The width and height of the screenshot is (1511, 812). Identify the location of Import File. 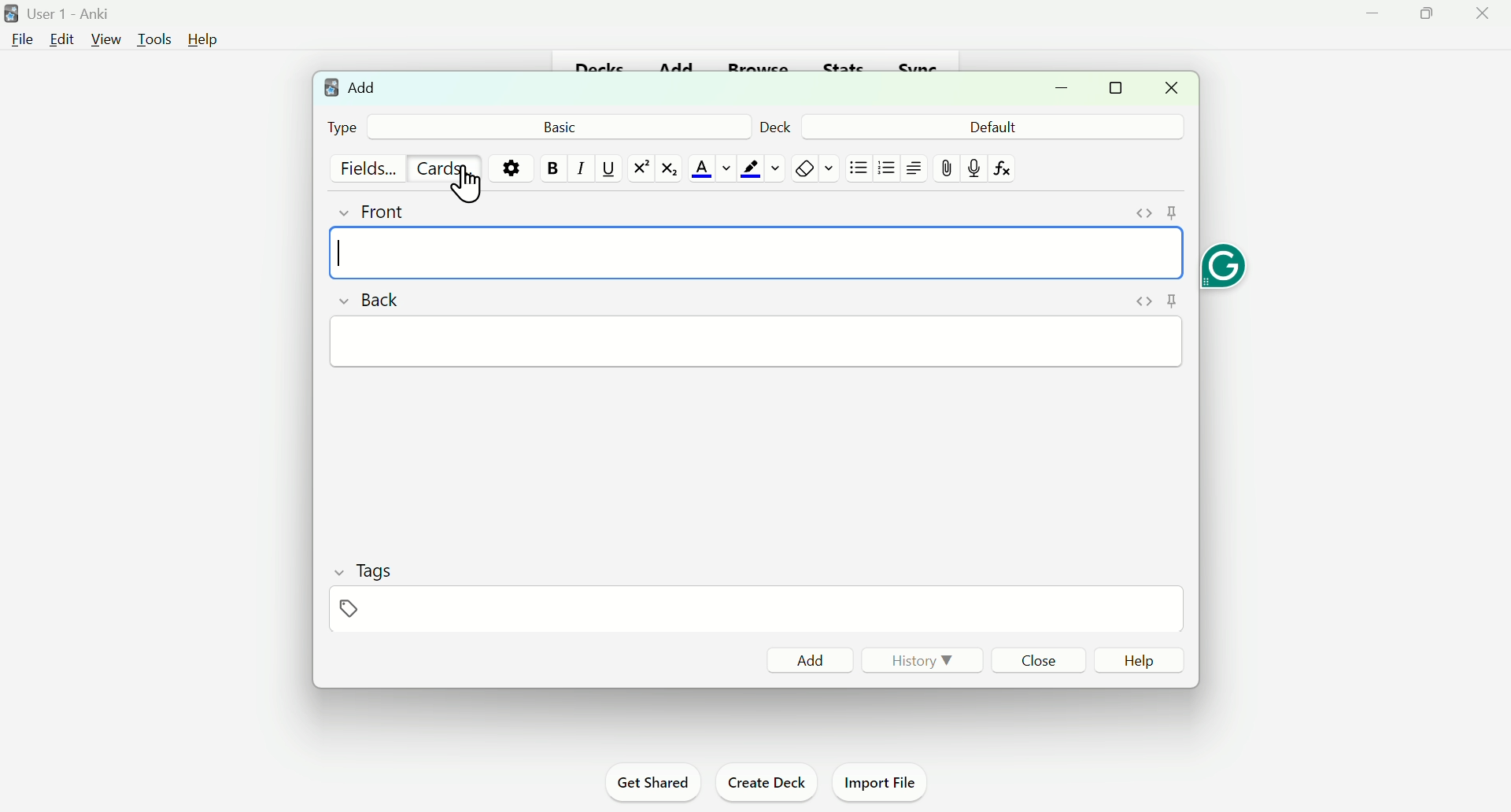
(877, 783).